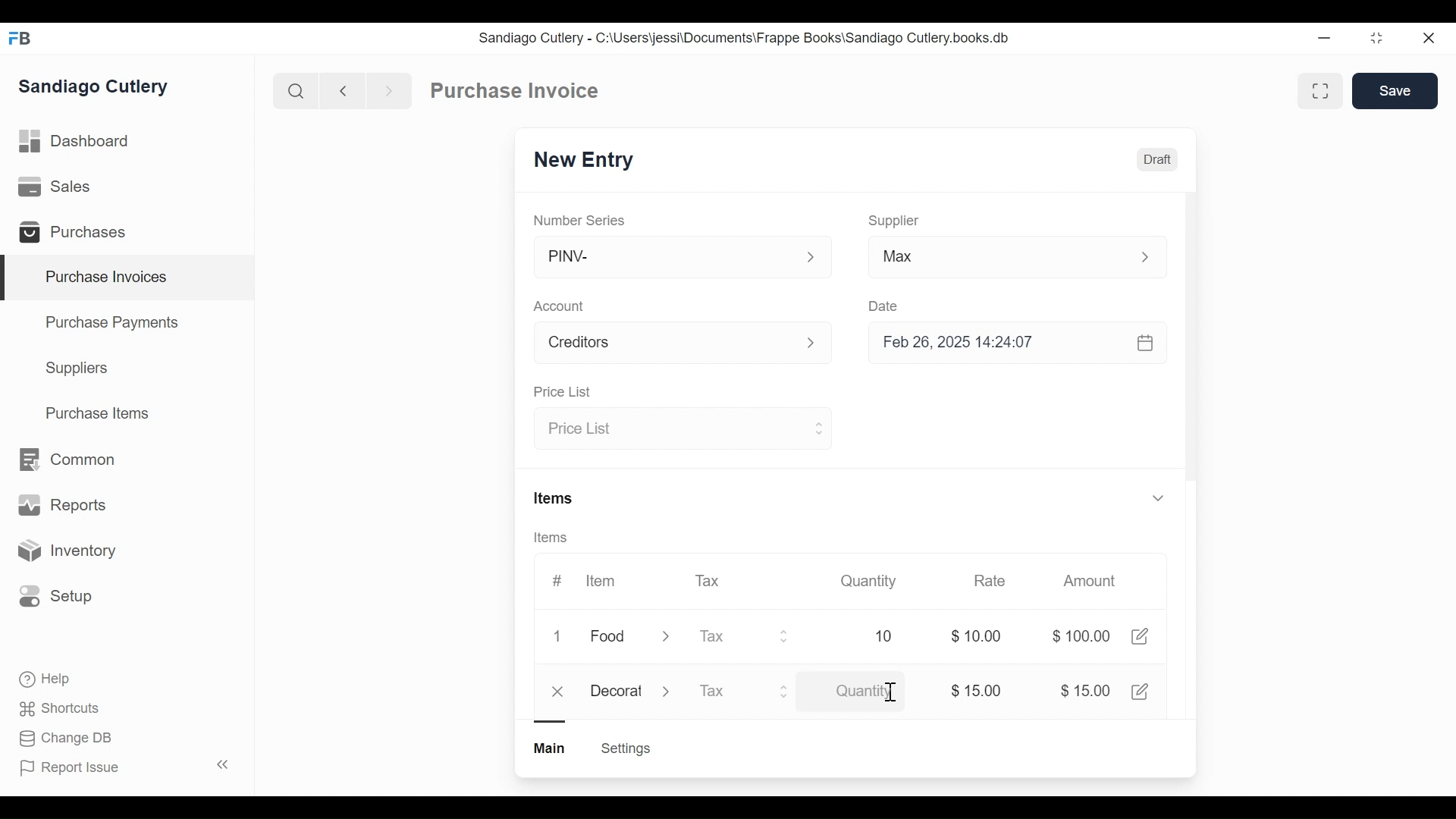  What do you see at coordinates (866, 636) in the screenshot?
I see `10` at bounding box center [866, 636].